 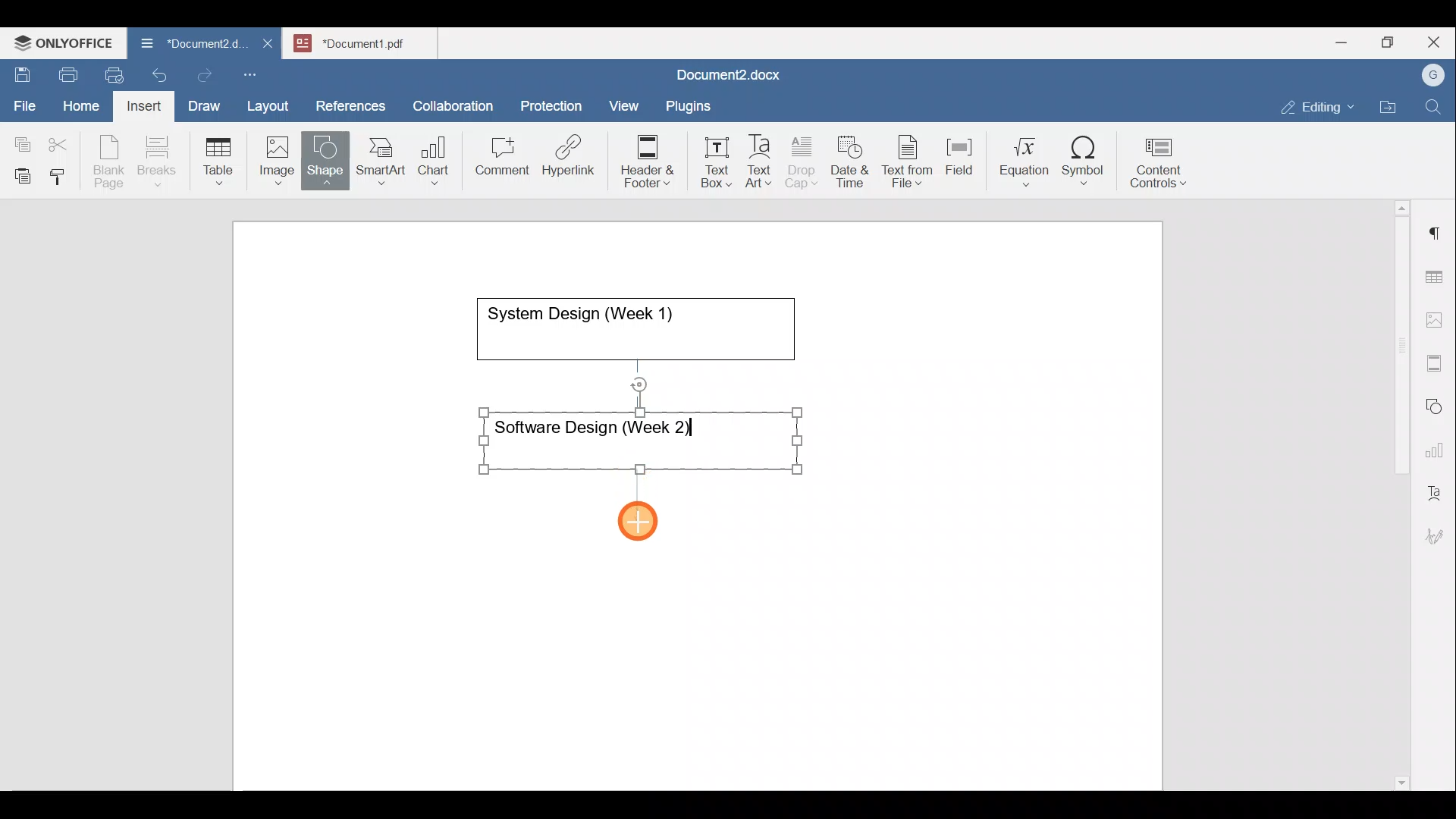 I want to click on Chart settings, so click(x=1438, y=444).